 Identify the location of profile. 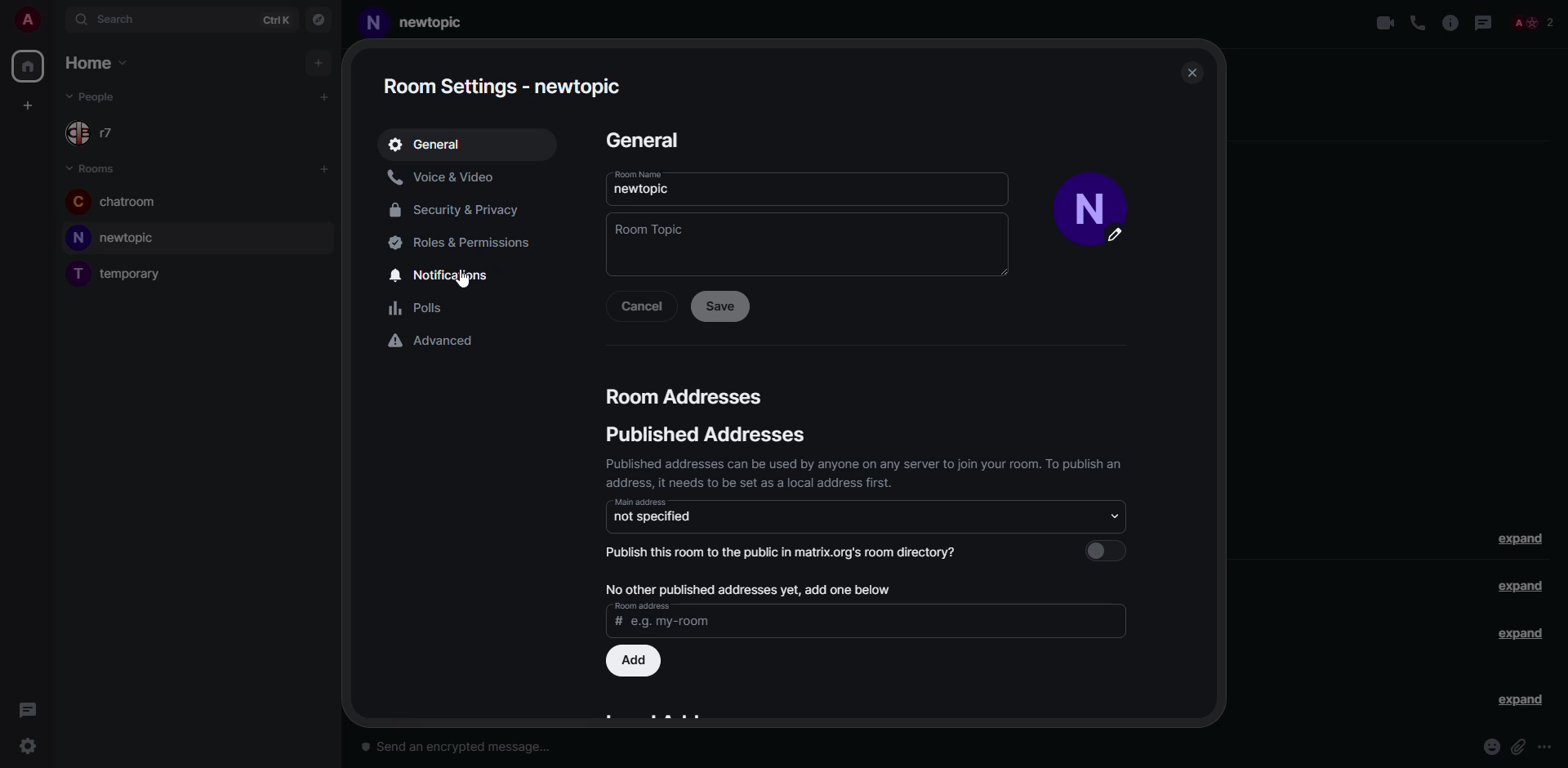
(24, 17).